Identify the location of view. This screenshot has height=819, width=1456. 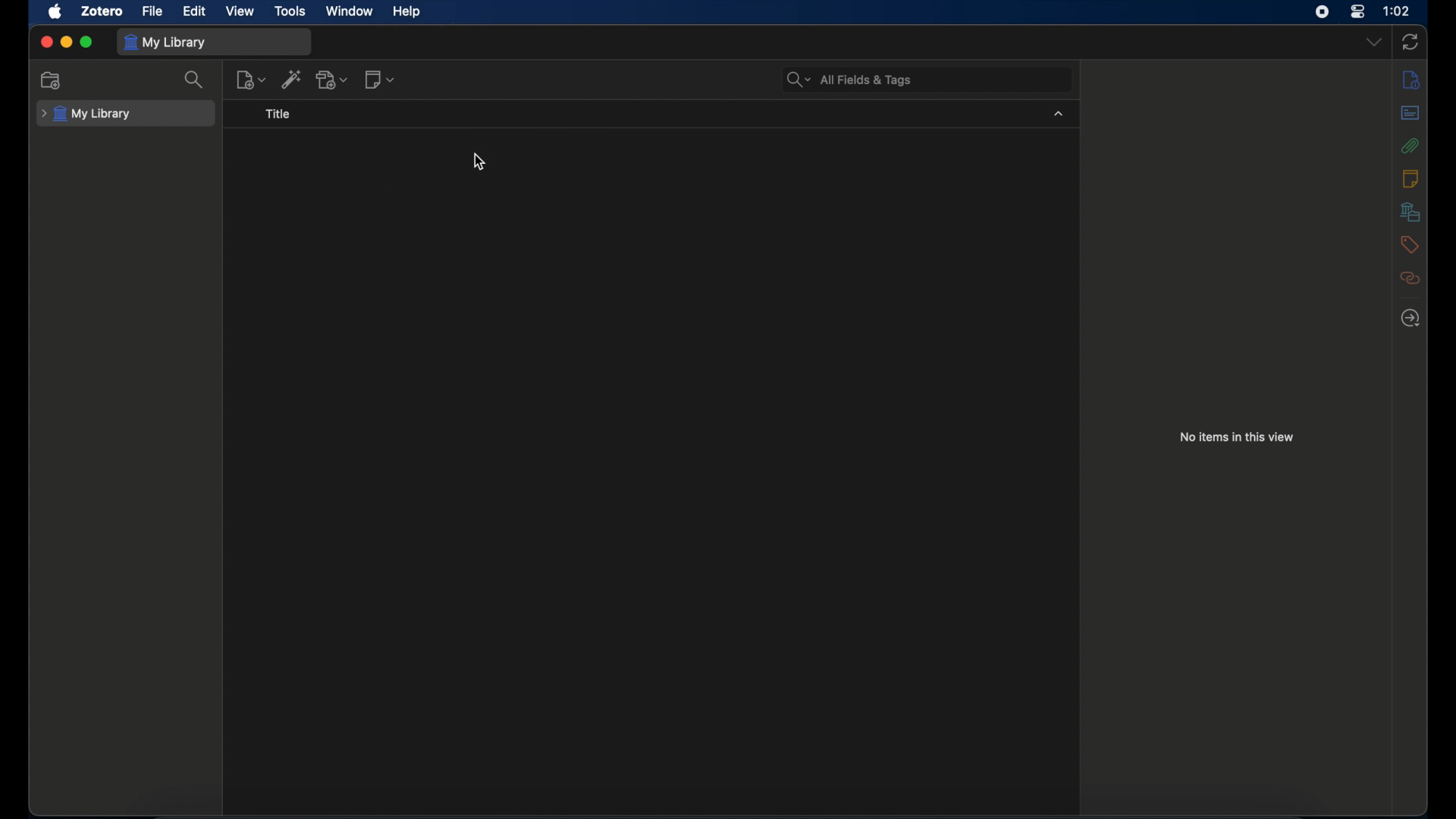
(238, 11).